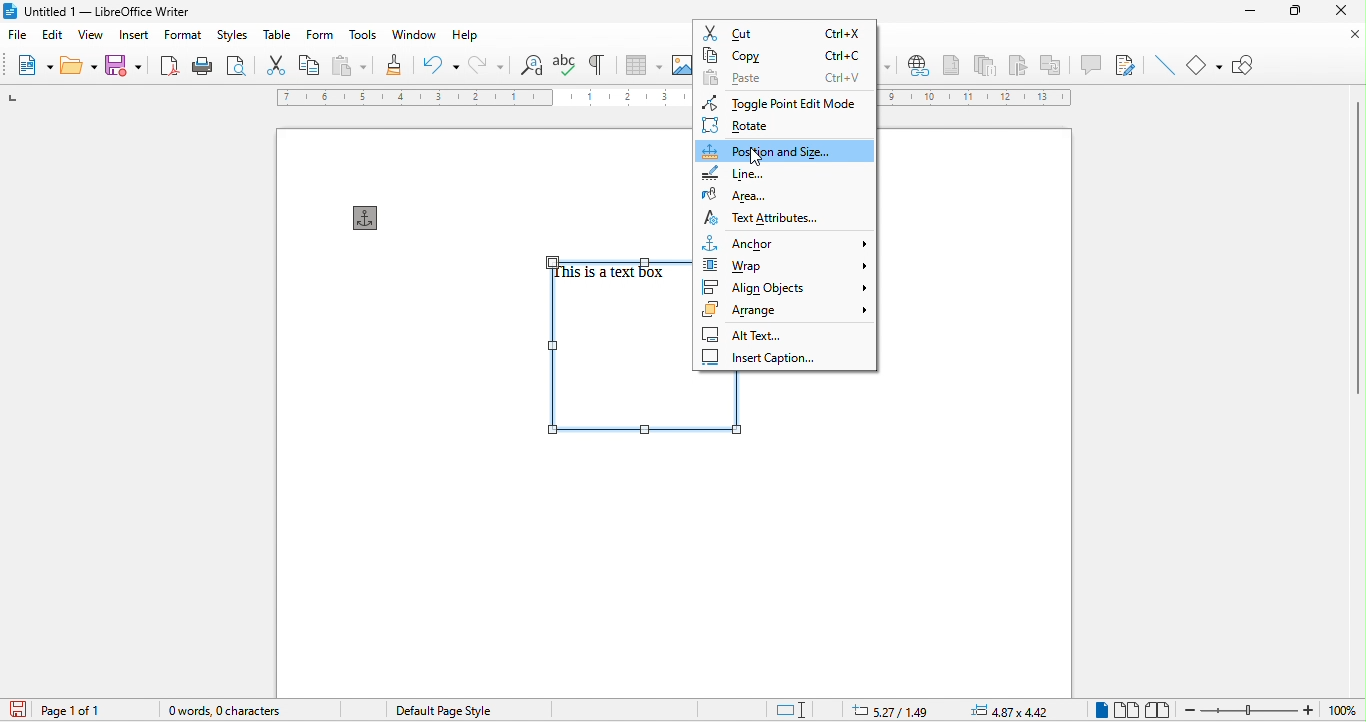 Image resolution: width=1366 pixels, height=722 pixels. Describe the element at coordinates (681, 64) in the screenshot. I see `image` at that location.